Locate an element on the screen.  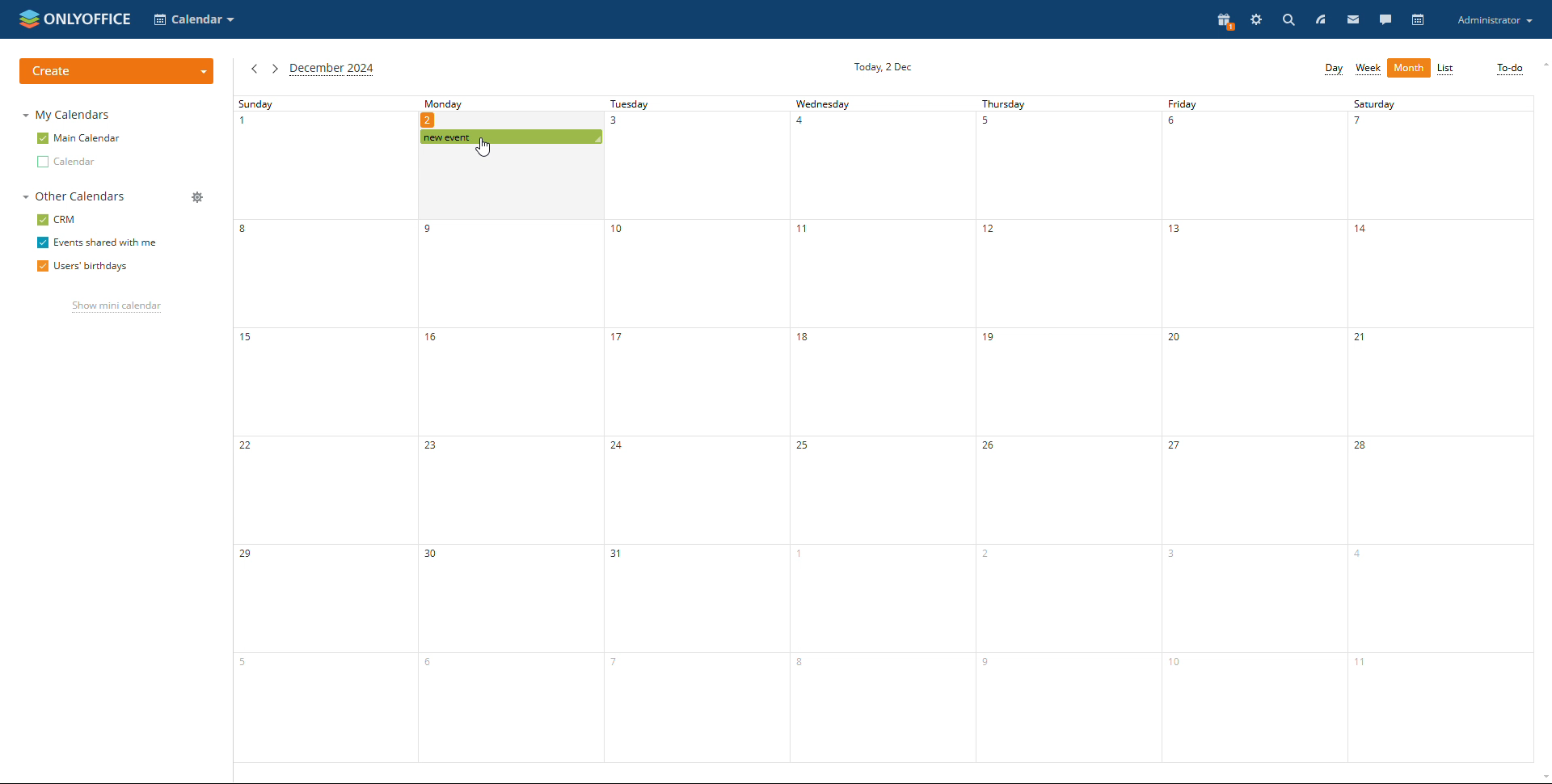
feed is located at coordinates (1321, 21).